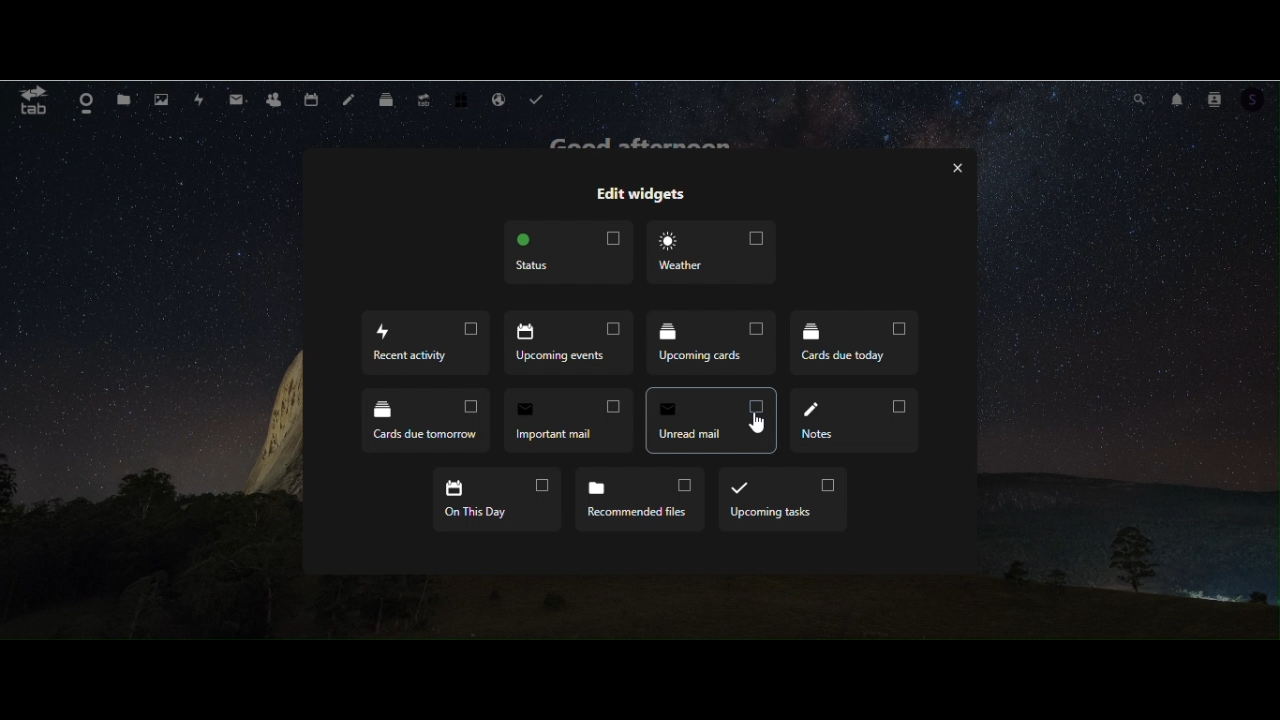 The width and height of the screenshot is (1280, 720). I want to click on Photos, so click(162, 101).